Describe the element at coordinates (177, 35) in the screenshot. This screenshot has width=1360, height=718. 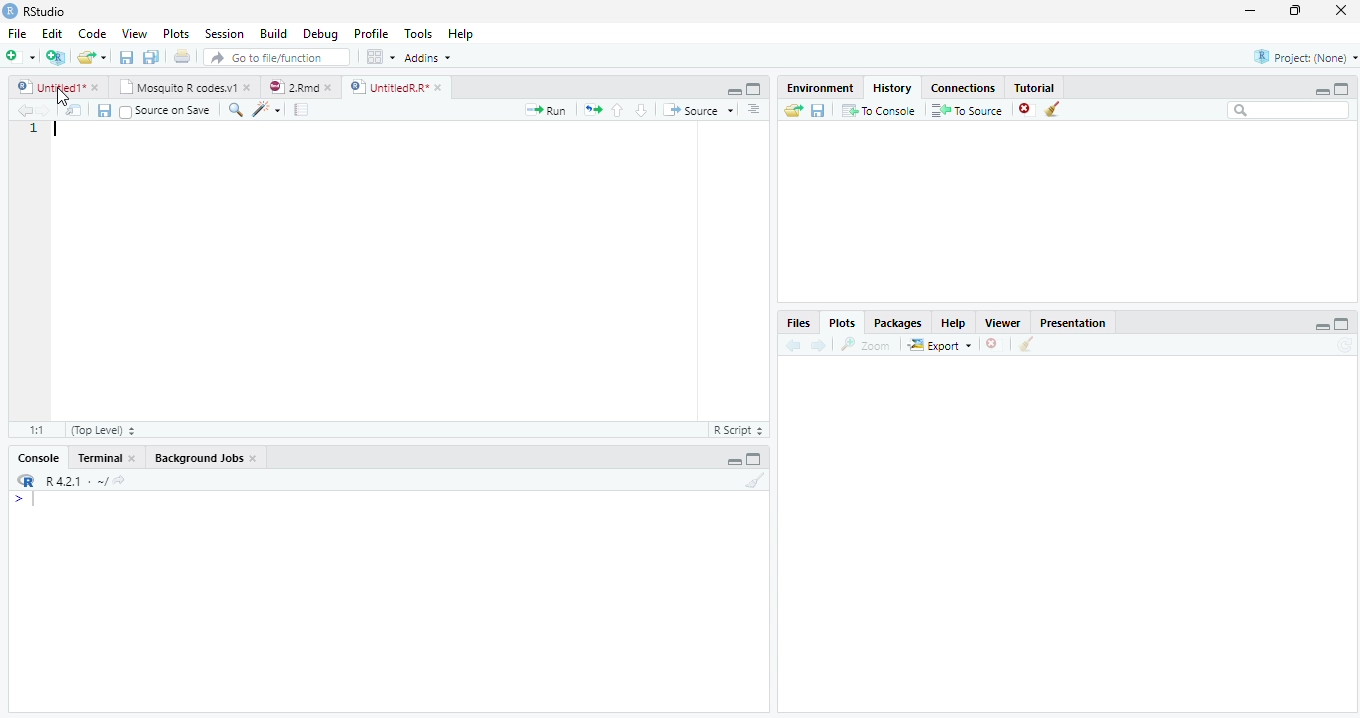
I see `Plots` at that location.